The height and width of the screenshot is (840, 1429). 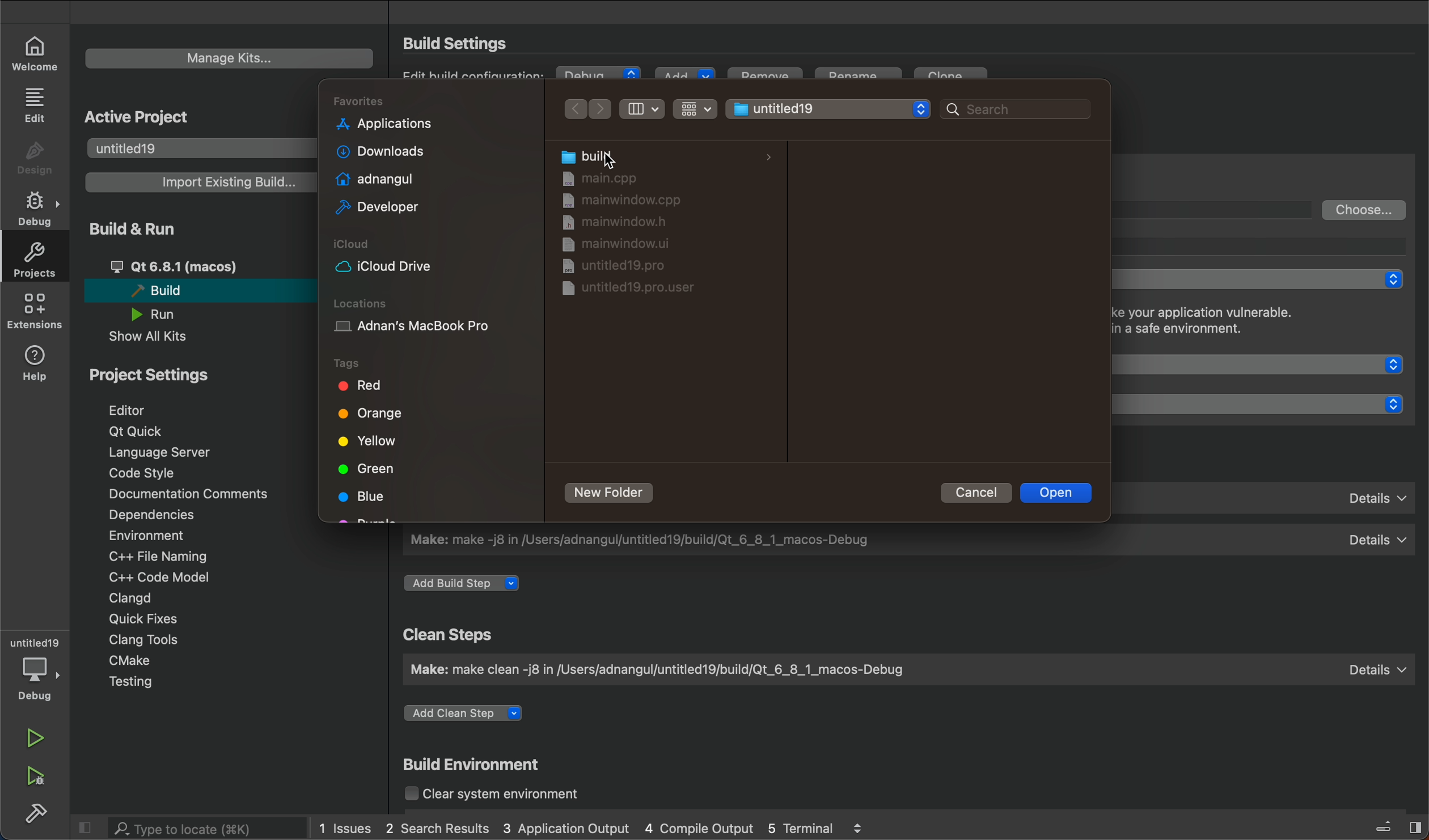 I want to click on red, so click(x=366, y=388).